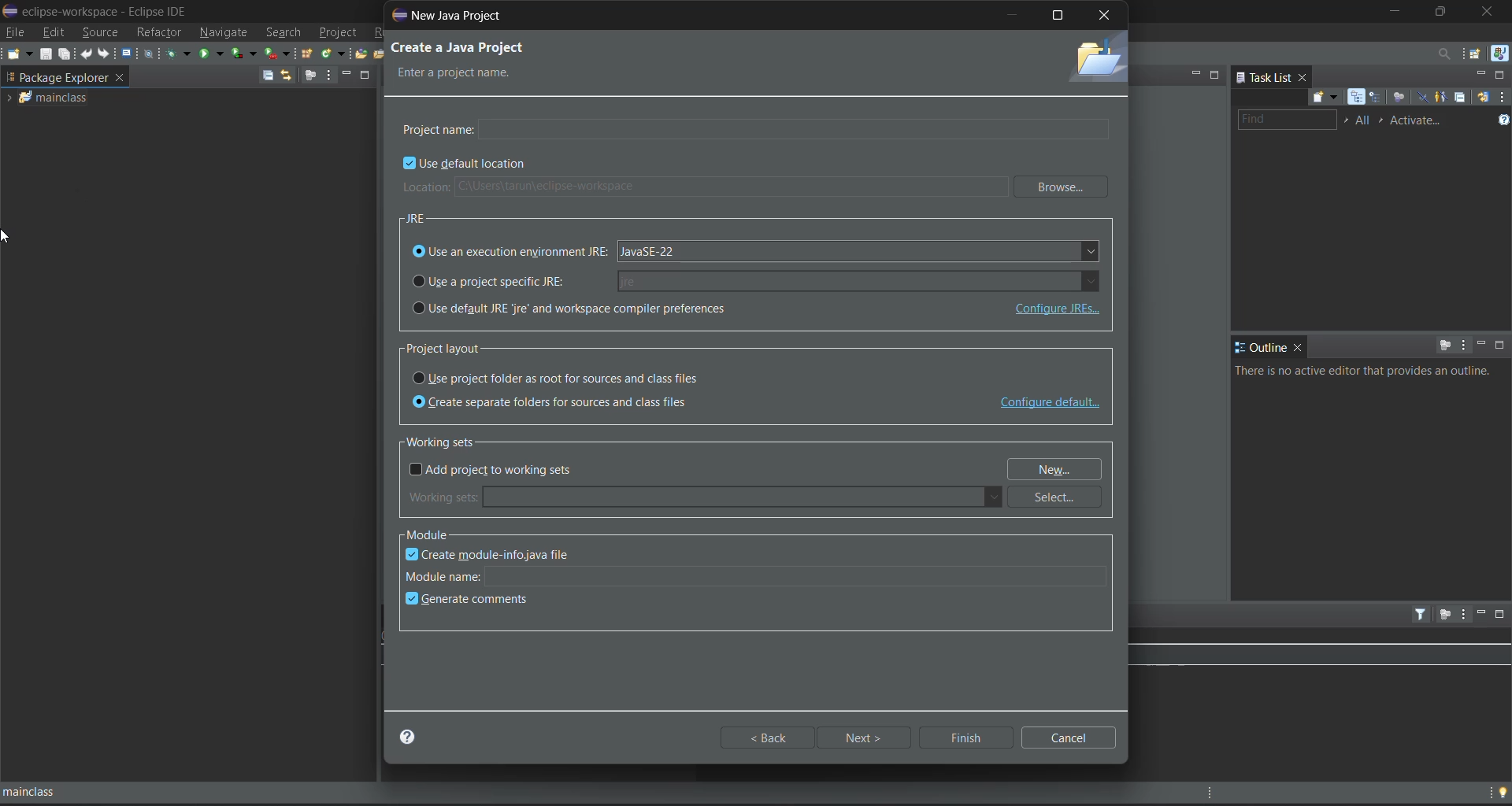 This screenshot has height=806, width=1512. What do you see at coordinates (308, 54) in the screenshot?
I see `new java package` at bounding box center [308, 54].